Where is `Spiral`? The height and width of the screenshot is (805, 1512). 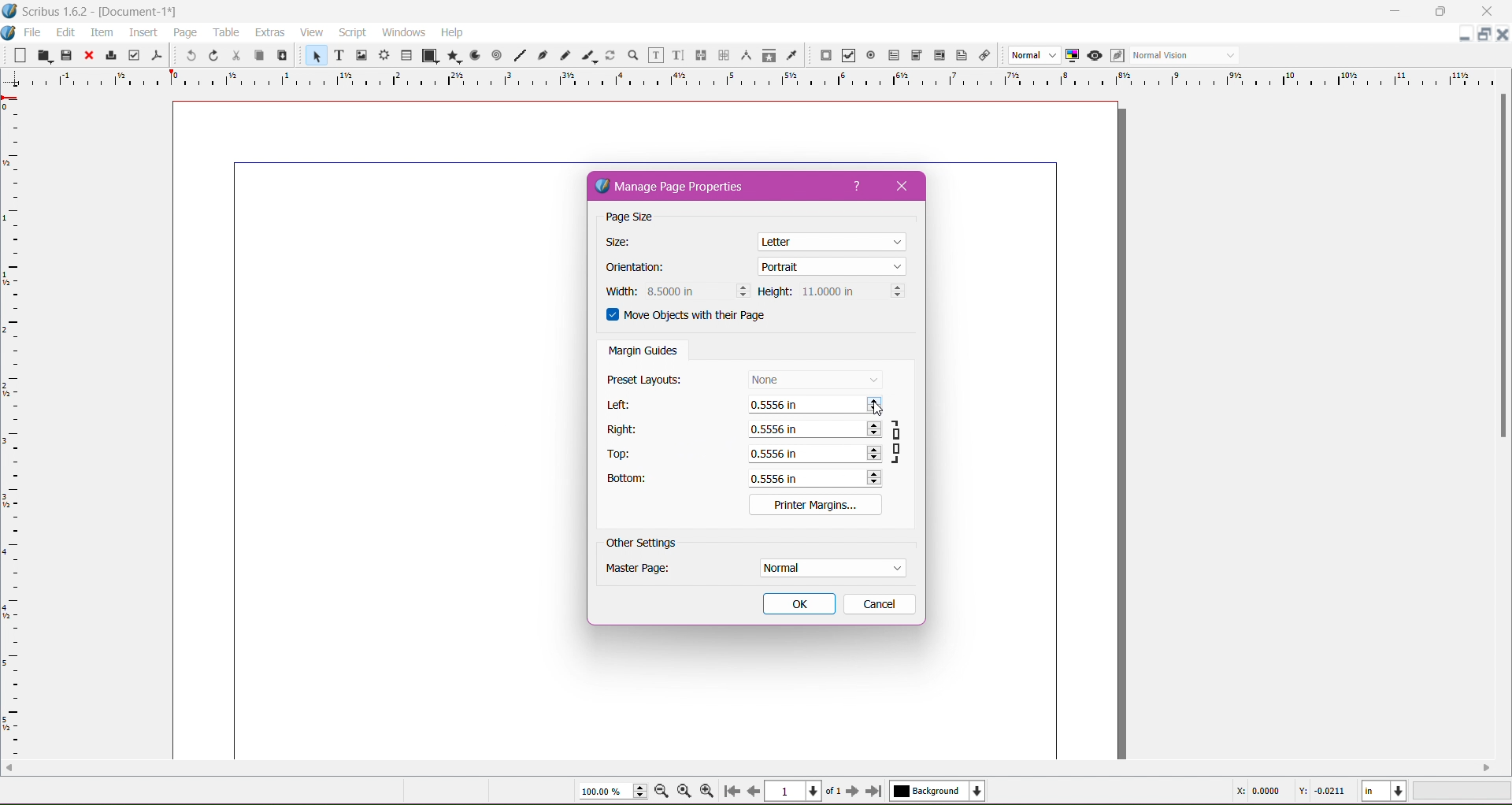 Spiral is located at coordinates (496, 56).